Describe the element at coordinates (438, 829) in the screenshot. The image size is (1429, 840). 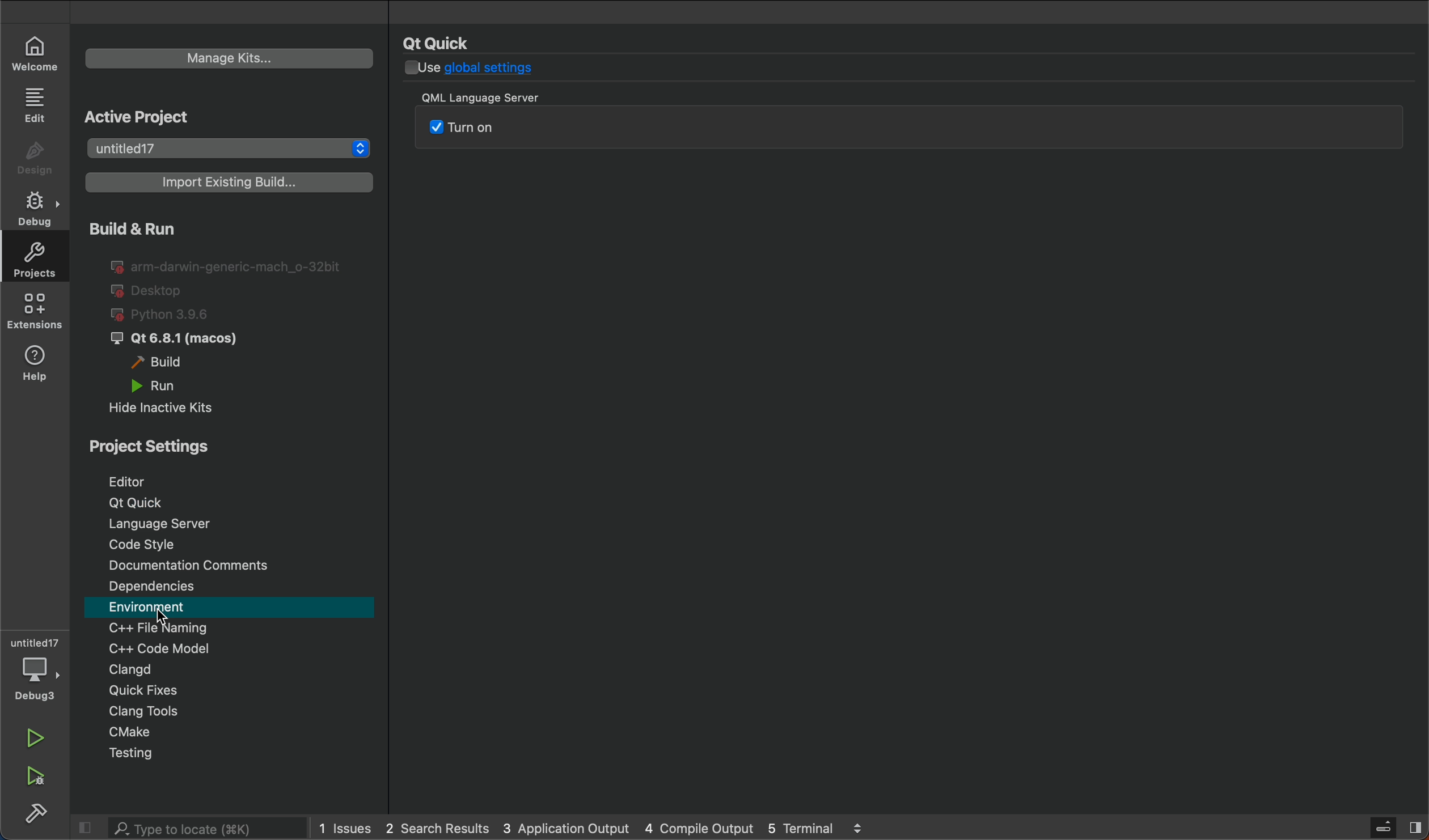
I see `2 search results` at that location.